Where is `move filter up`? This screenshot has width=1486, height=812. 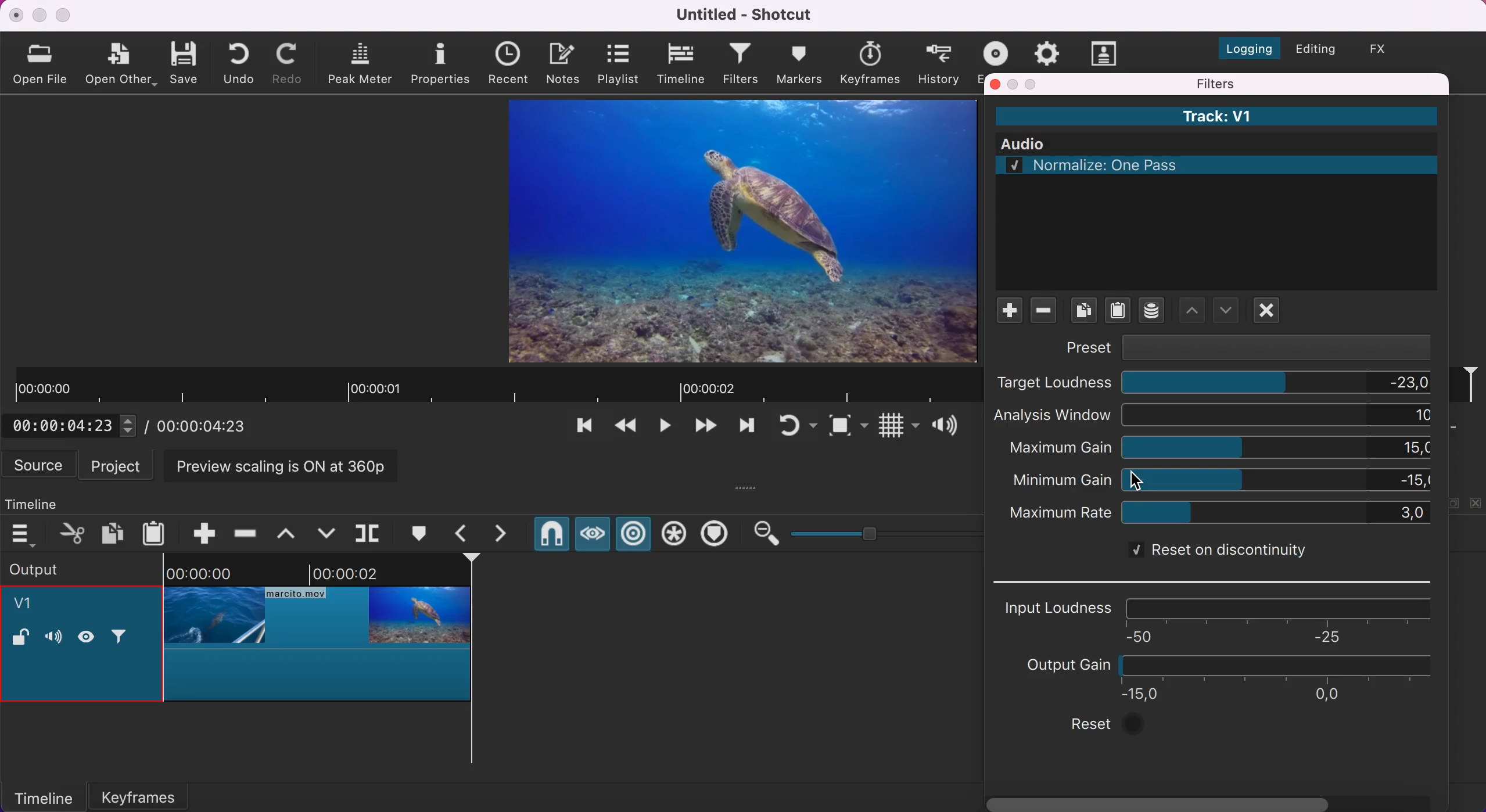
move filter up is located at coordinates (1227, 310).